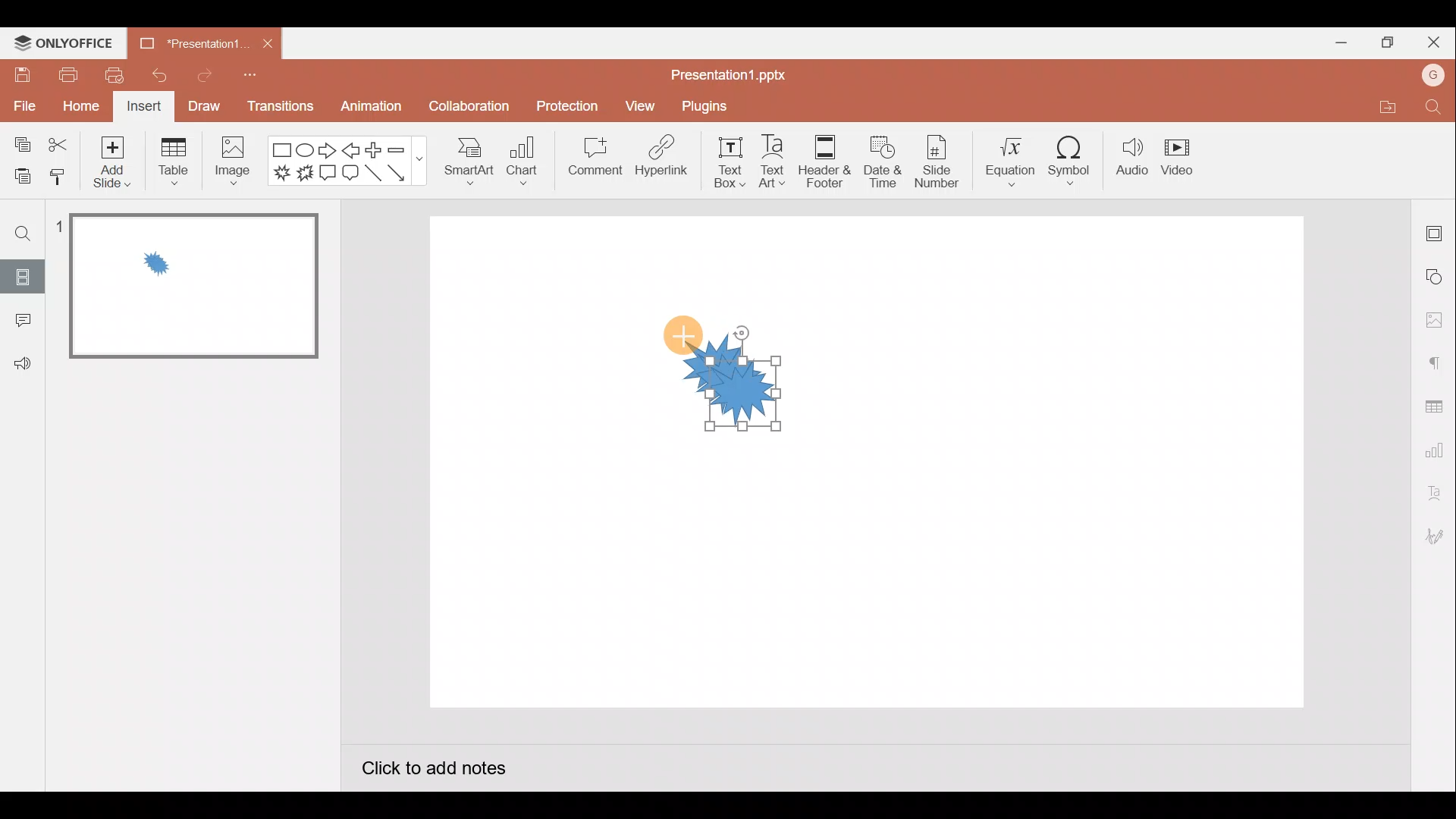 The image size is (1456, 819). What do you see at coordinates (1187, 162) in the screenshot?
I see `Video` at bounding box center [1187, 162].